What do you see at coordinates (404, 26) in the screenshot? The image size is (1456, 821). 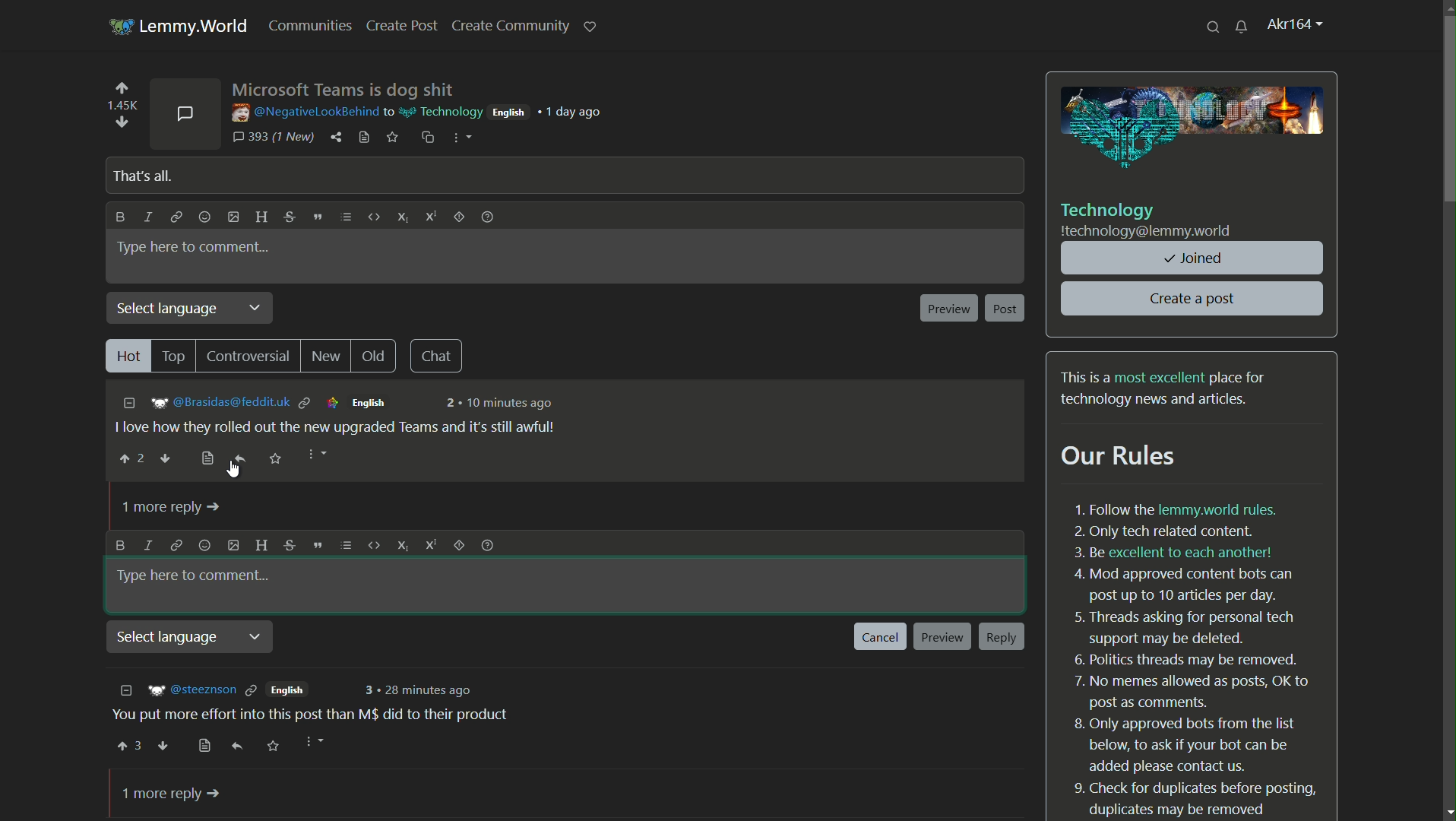 I see `create post` at bounding box center [404, 26].